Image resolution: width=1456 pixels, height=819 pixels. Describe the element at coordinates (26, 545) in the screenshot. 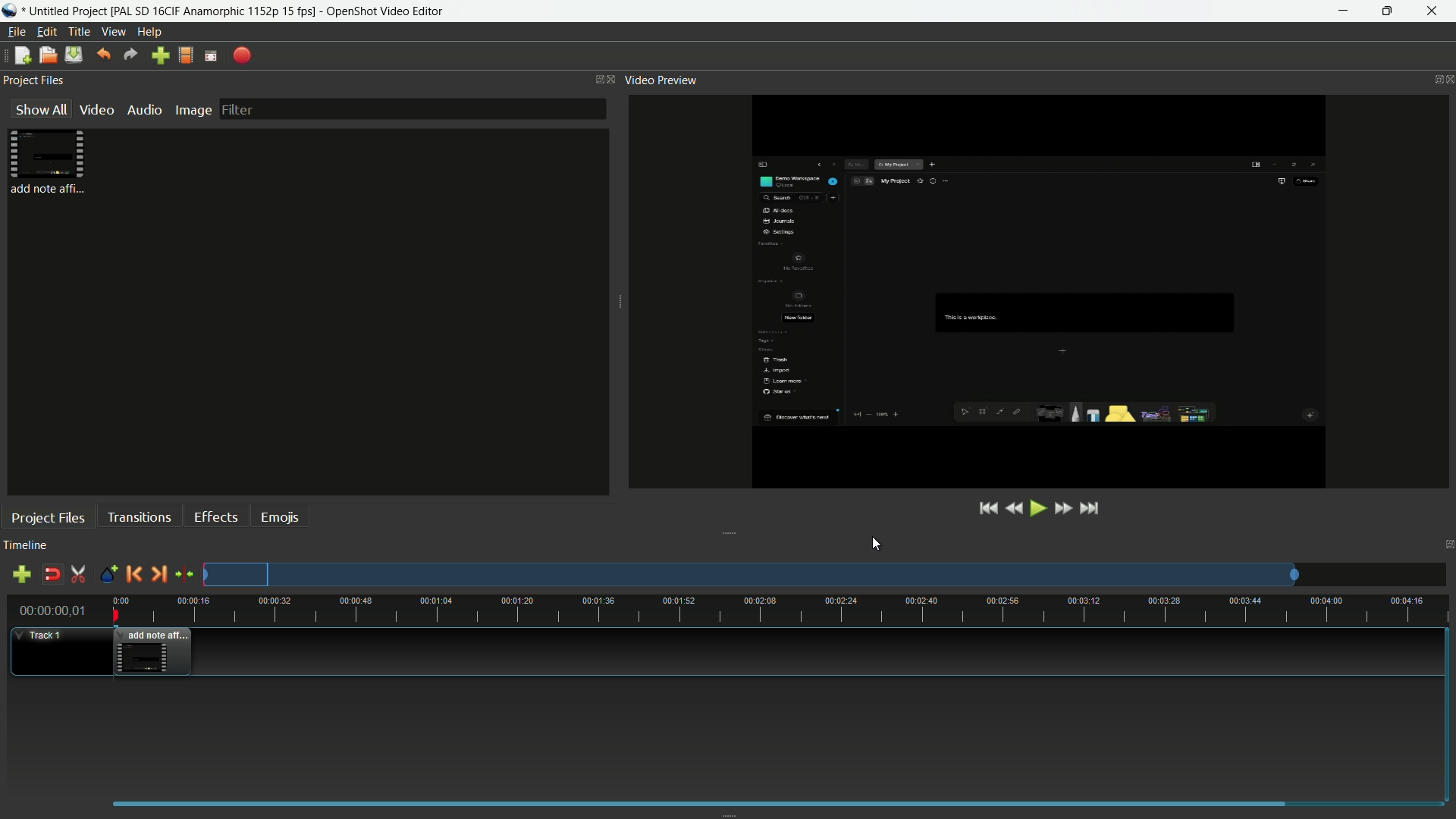

I see `timeline` at that location.